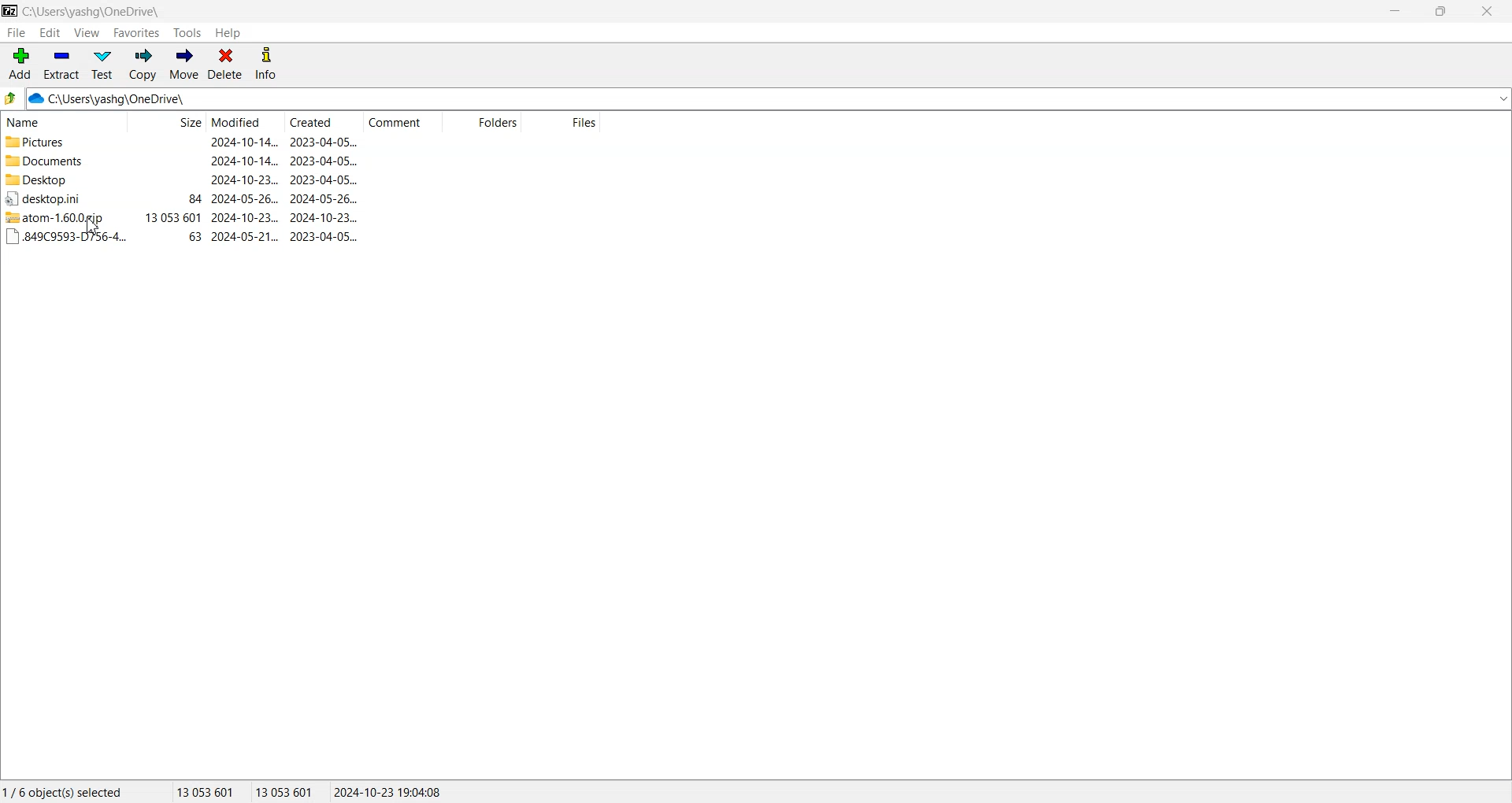  What do you see at coordinates (50, 32) in the screenshot?
I see `Edit` at bounding box center [50, 32].